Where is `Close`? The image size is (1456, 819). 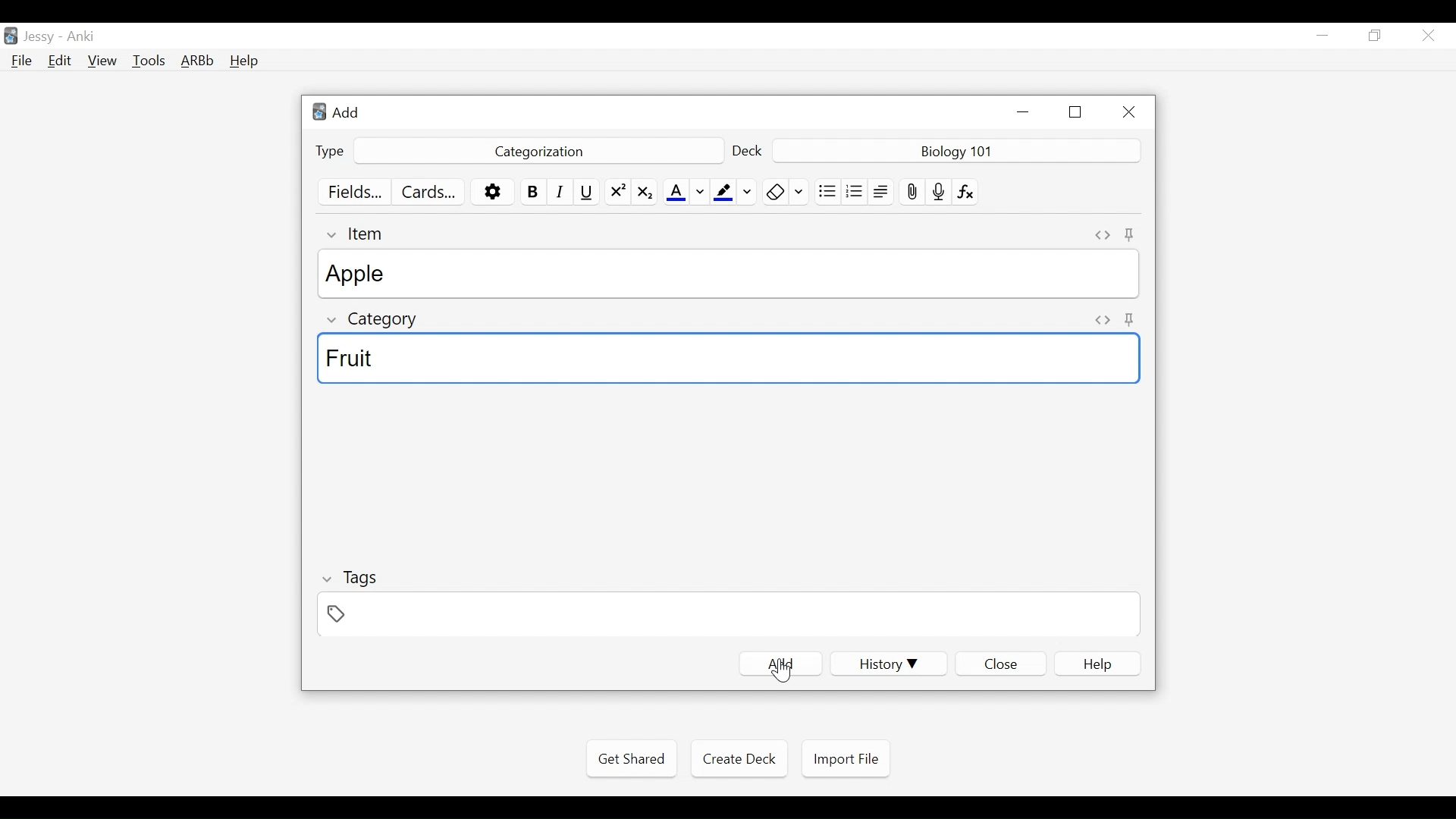
Close is located at coordinates (1000, 664).